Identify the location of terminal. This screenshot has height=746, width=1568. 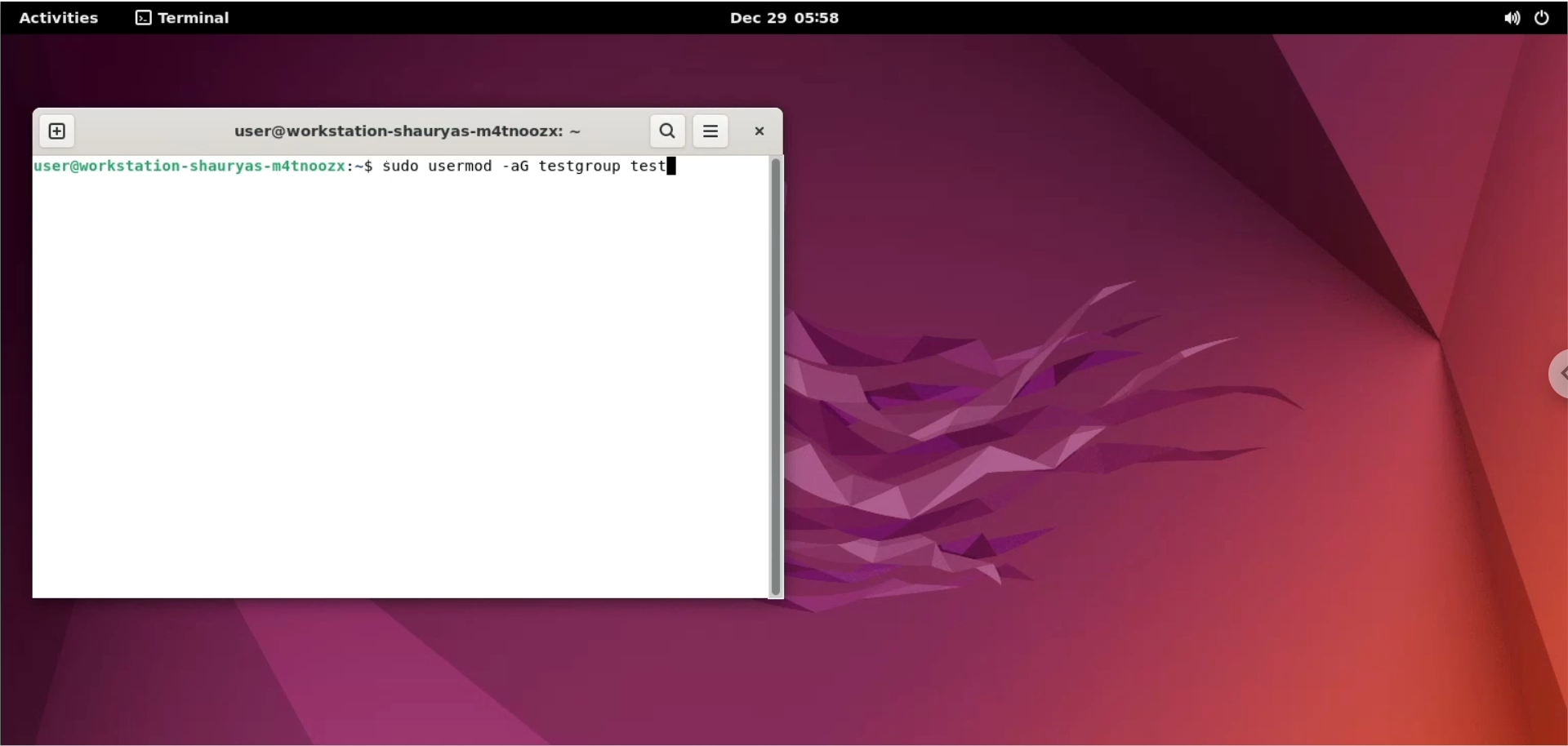
(185, 20).